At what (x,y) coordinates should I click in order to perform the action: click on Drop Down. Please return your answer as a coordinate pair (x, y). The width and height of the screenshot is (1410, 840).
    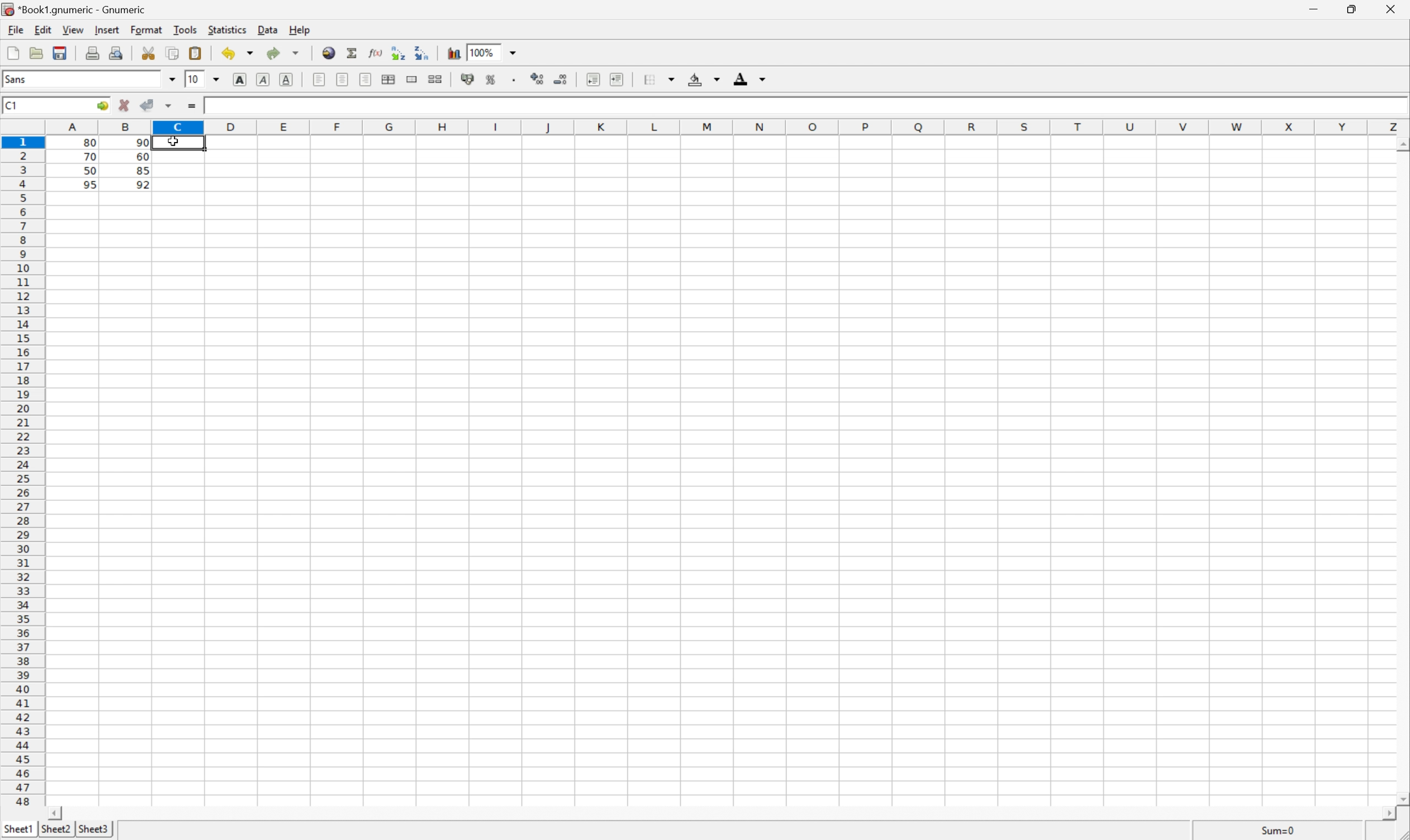
    Looking at the image, I should click on (296, 50).